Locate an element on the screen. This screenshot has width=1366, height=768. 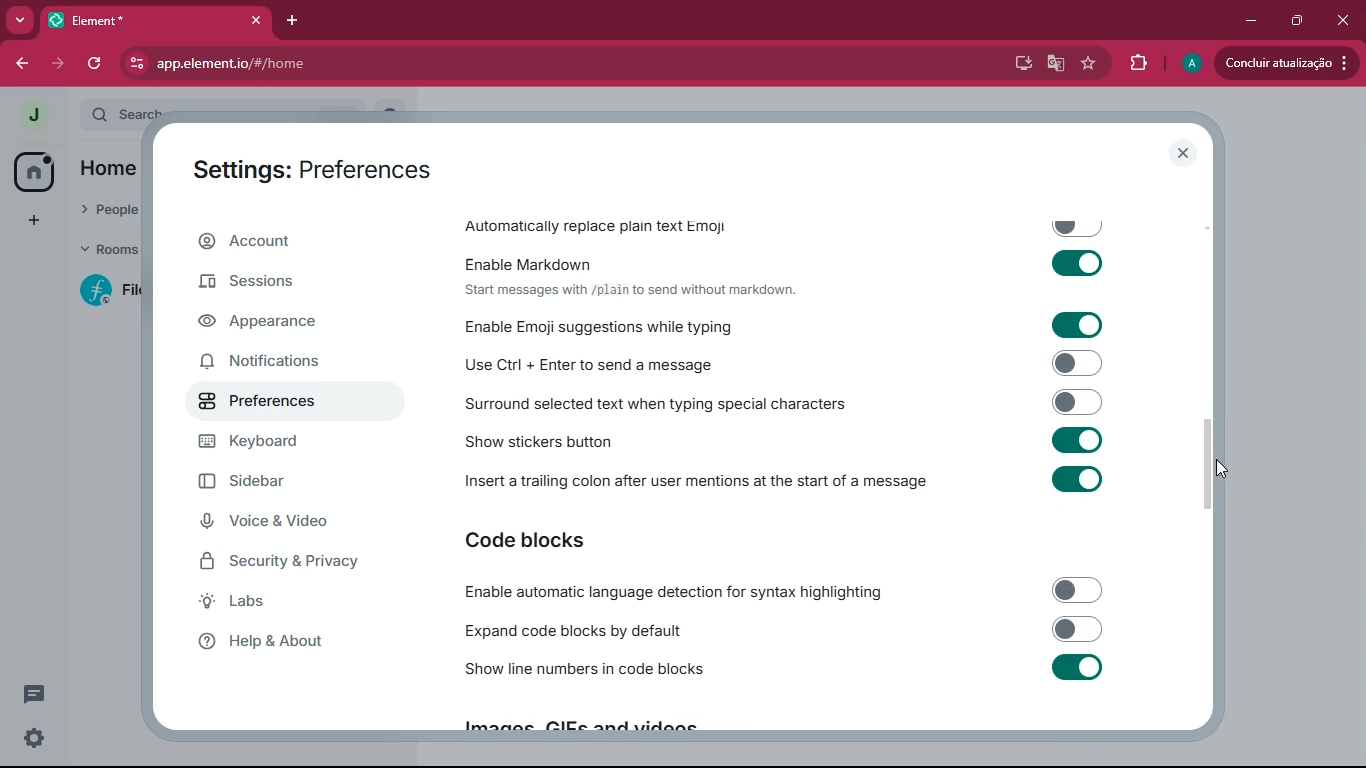
keyboard is located at coordinates (299, 442).